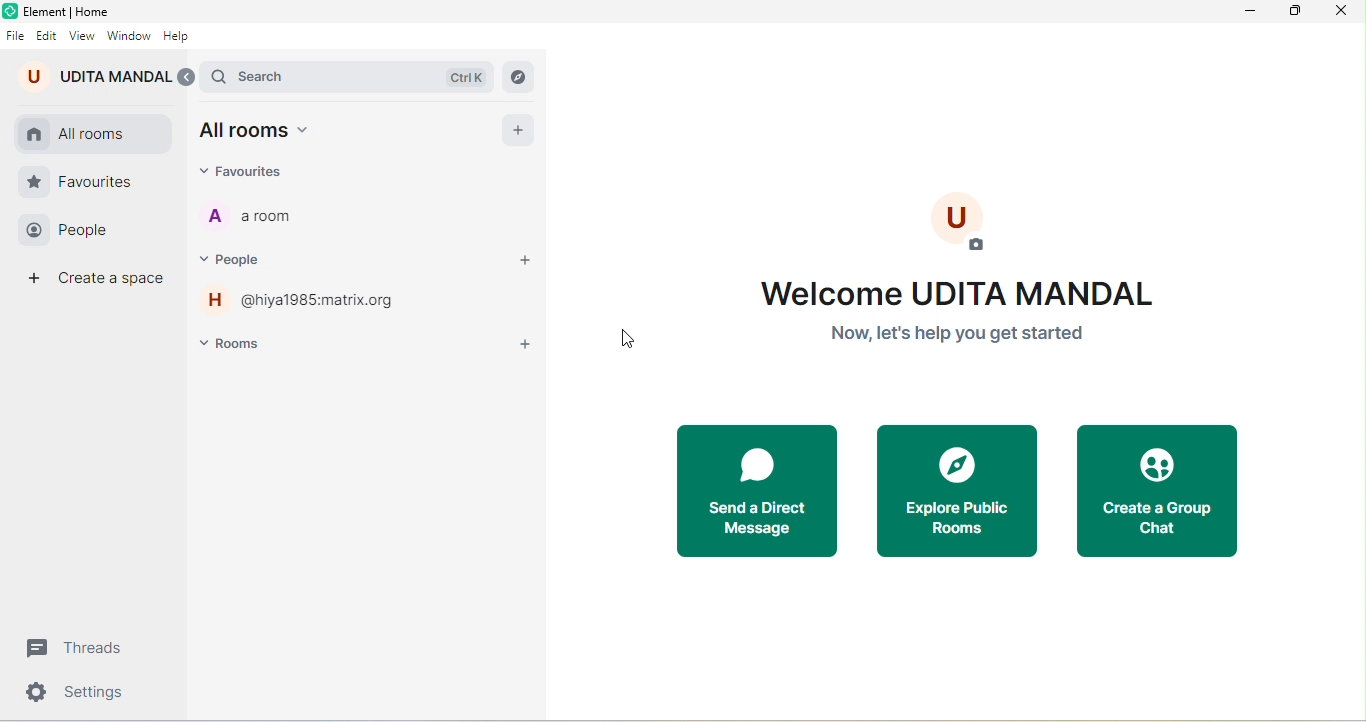 Image resolution: width=1366 pixels, height=722 pixels. What do you see at coordinates (628, 339) in the screenshot?
I see `cursor` at bounding box center [628, 339].